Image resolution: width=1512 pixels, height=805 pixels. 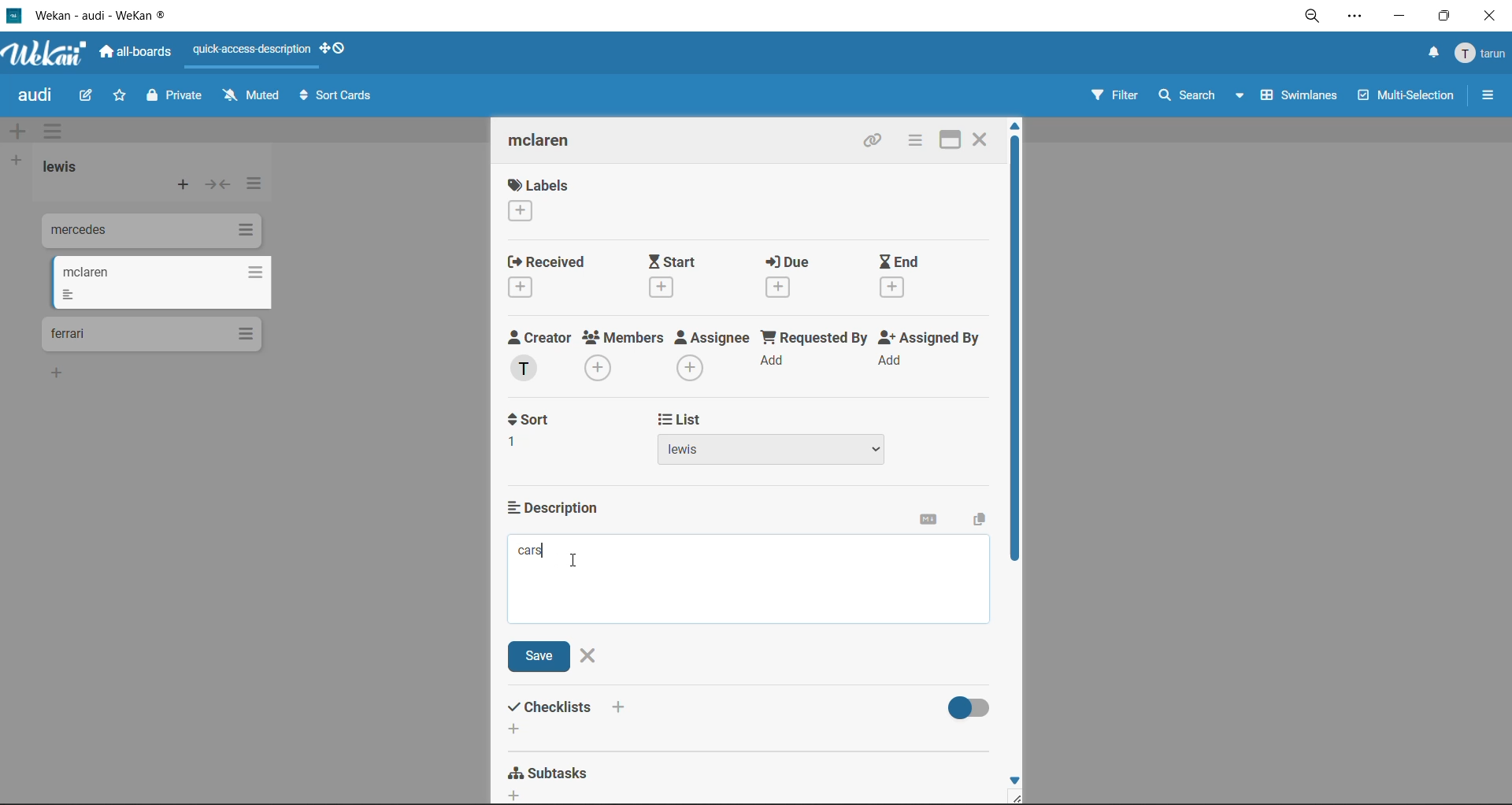 What do you see at coordinates (626, 358) in the screenshot?
I see `members` at bounding box center [626, 358].